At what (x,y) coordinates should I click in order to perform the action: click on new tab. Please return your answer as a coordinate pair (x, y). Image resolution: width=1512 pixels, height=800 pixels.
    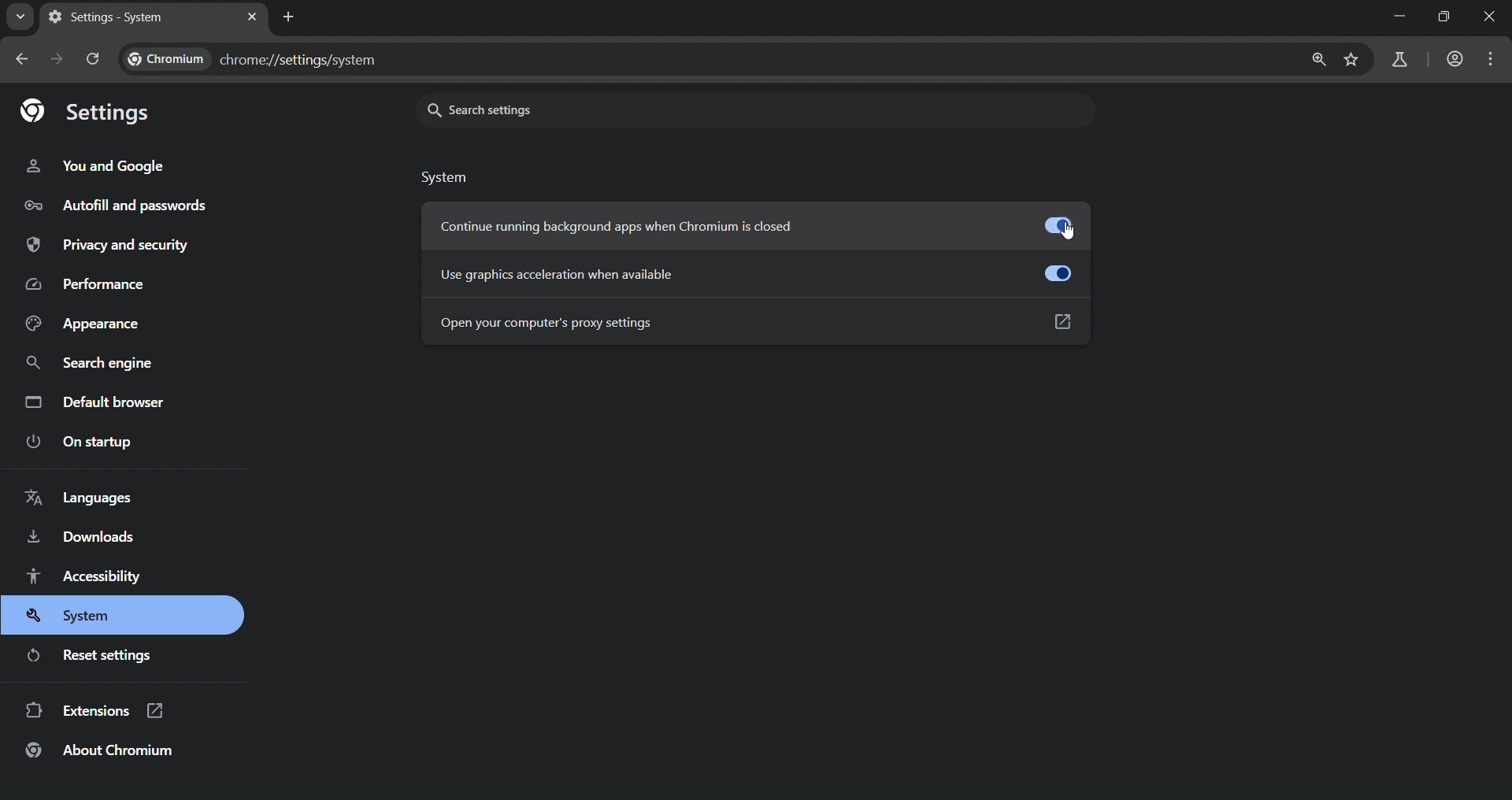
    Looking at the image, I should click on (289, 17).